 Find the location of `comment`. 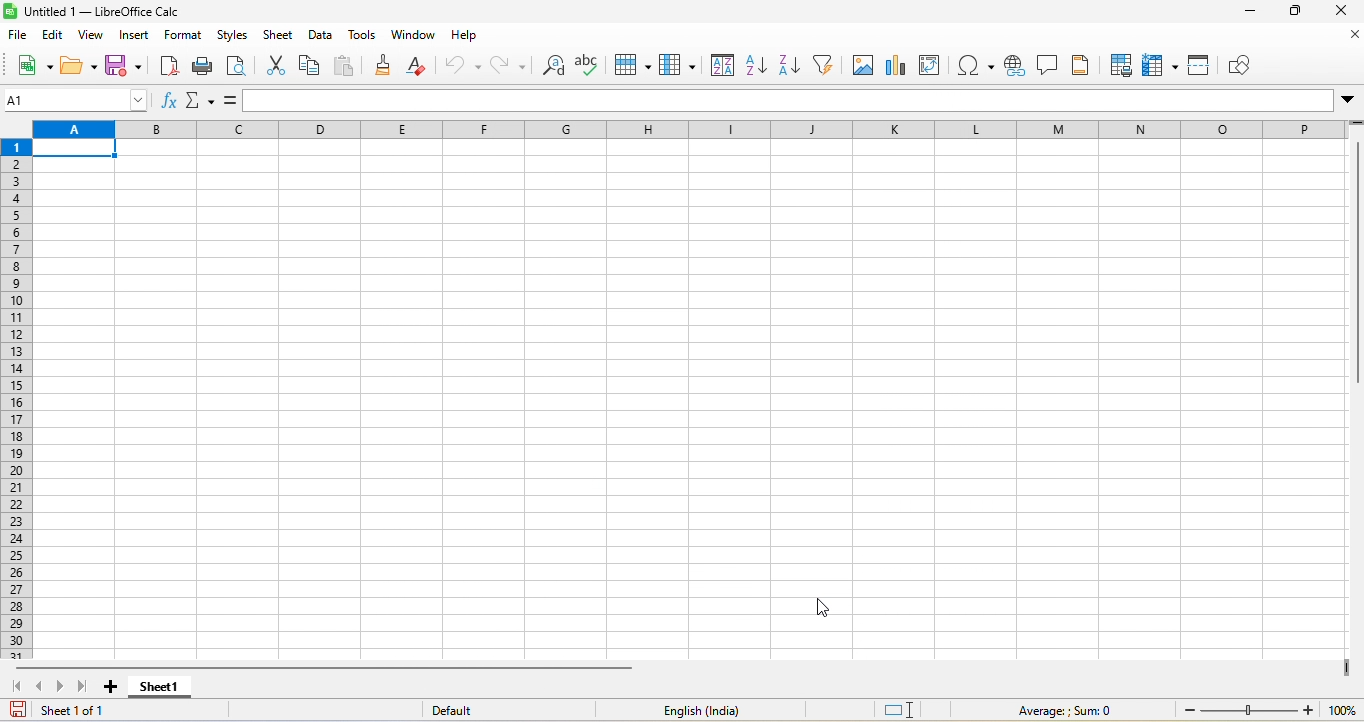

comment is located at coordinates (1046, 64).